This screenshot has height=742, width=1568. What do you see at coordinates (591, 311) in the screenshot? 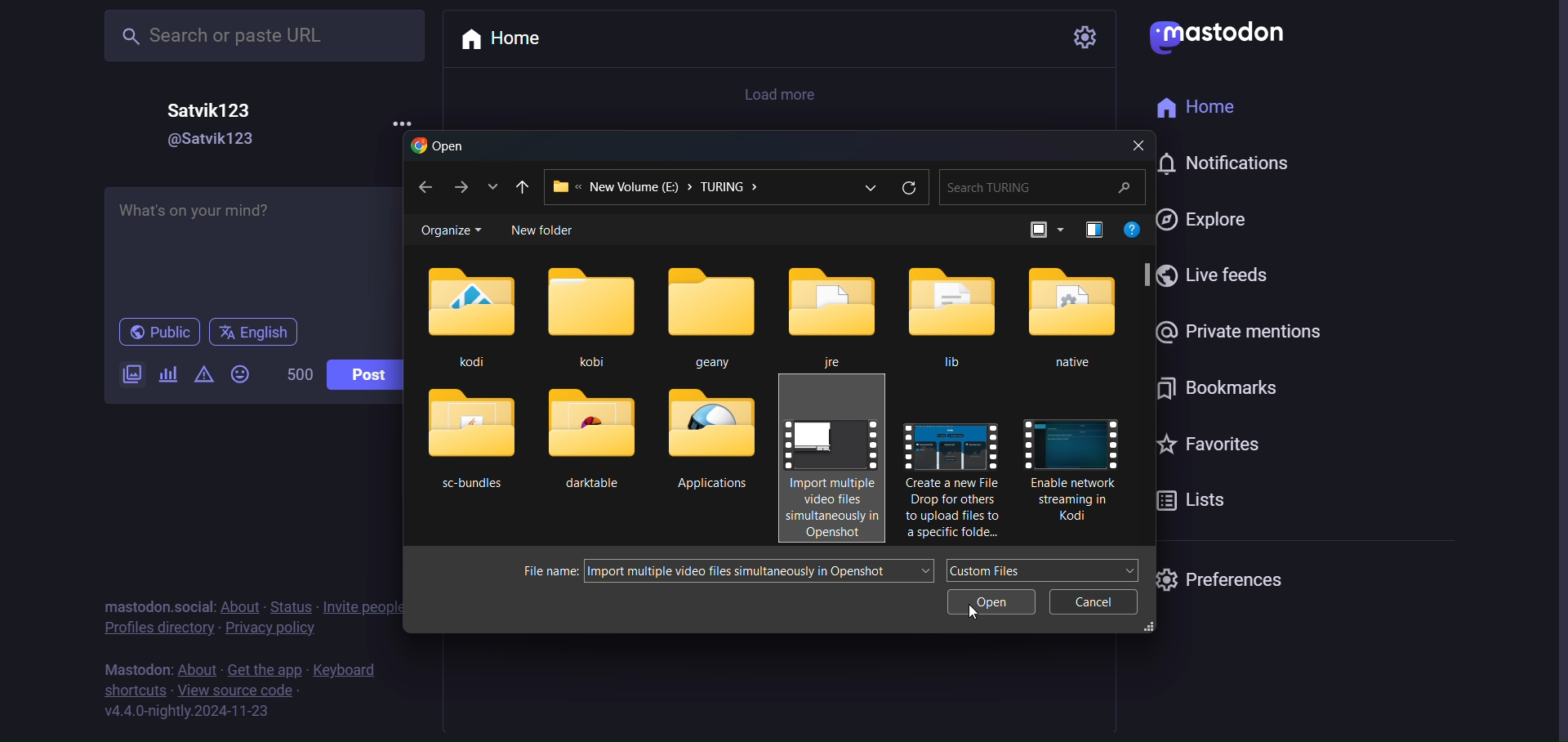
I see `kobi` at bounding box center [591, 311].